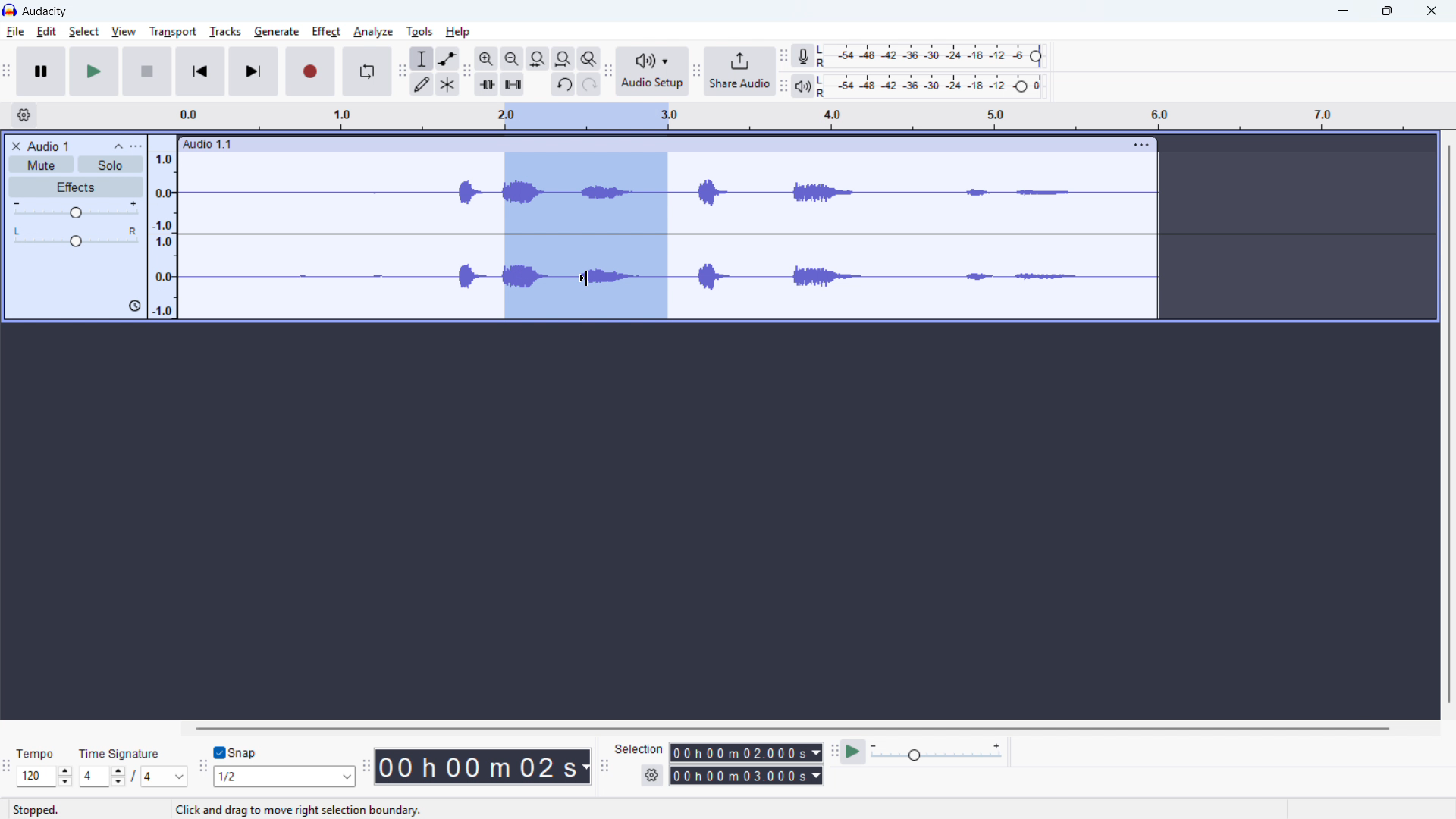  I want to click on Effects, so click(76, 187).